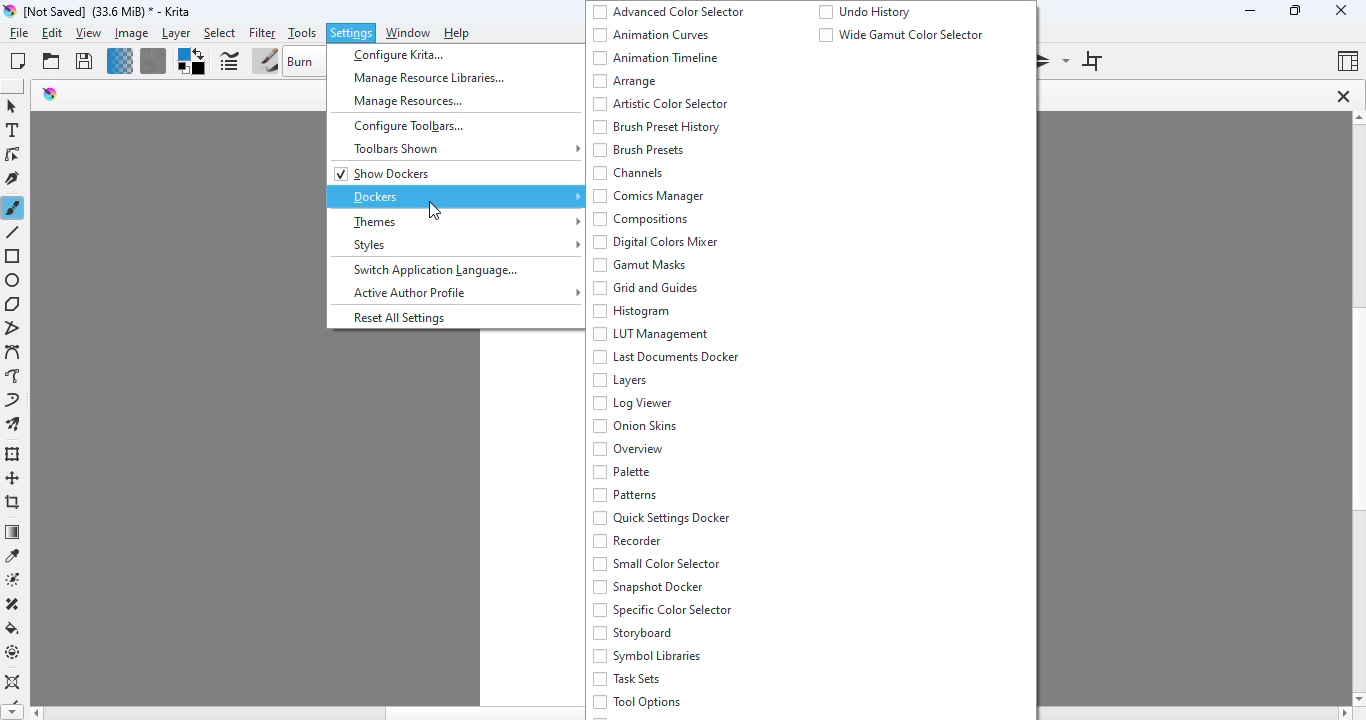 This screenshot has width=1366, height=720. Describe the element at coordinates (1293, 10) in the screenshot. I see `resize` at that location.